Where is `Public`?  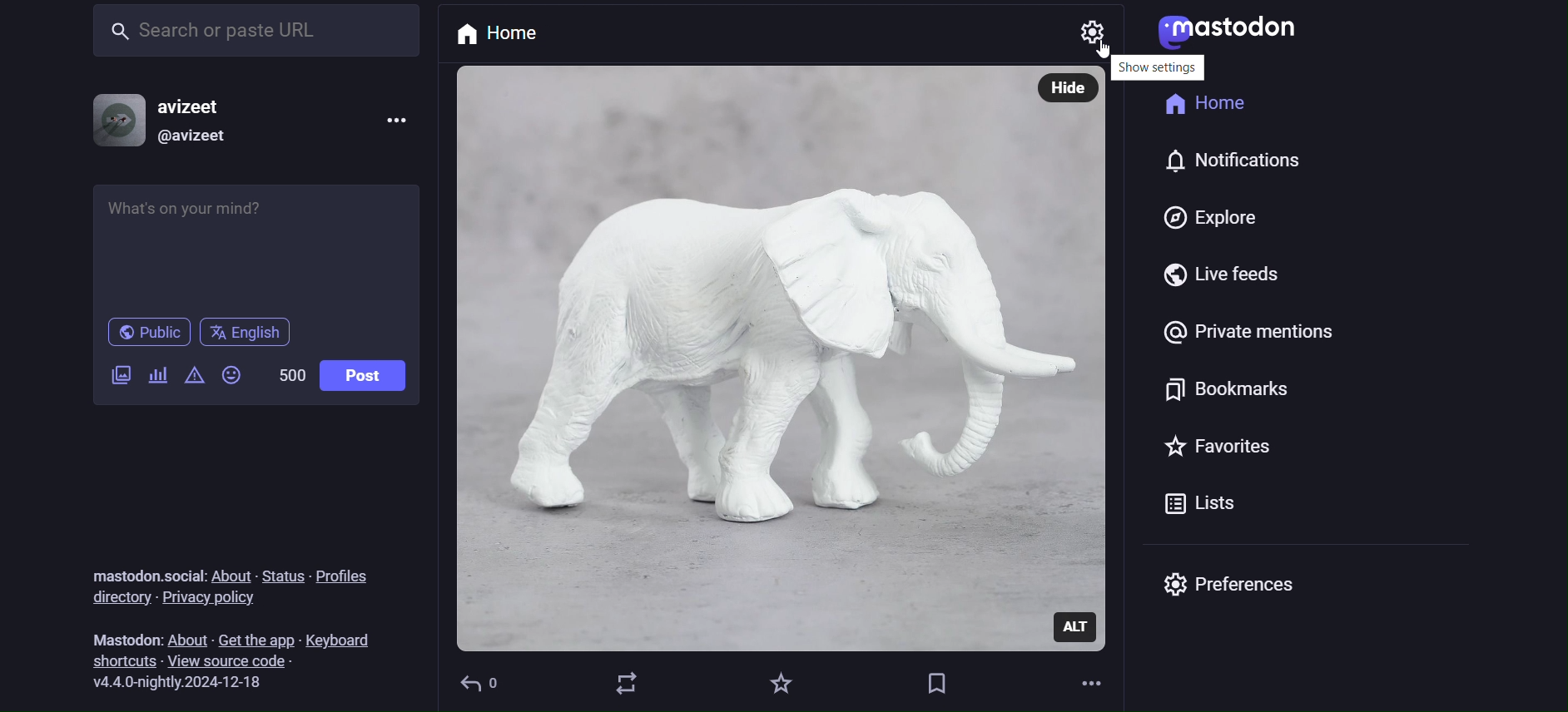 Public is located at coordinates (146, 334).